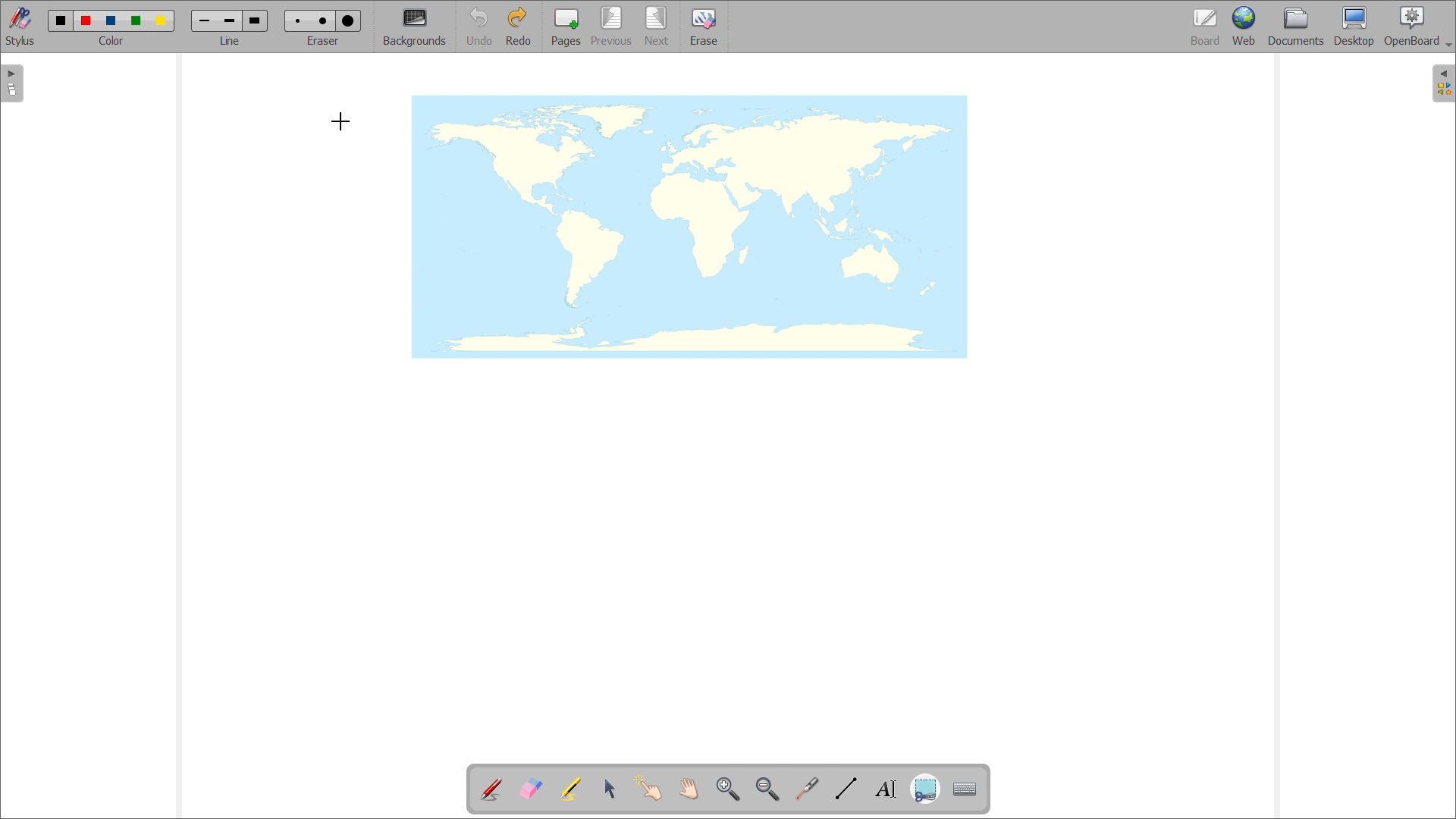  I want to click on erase annotations, so click(530, 788).